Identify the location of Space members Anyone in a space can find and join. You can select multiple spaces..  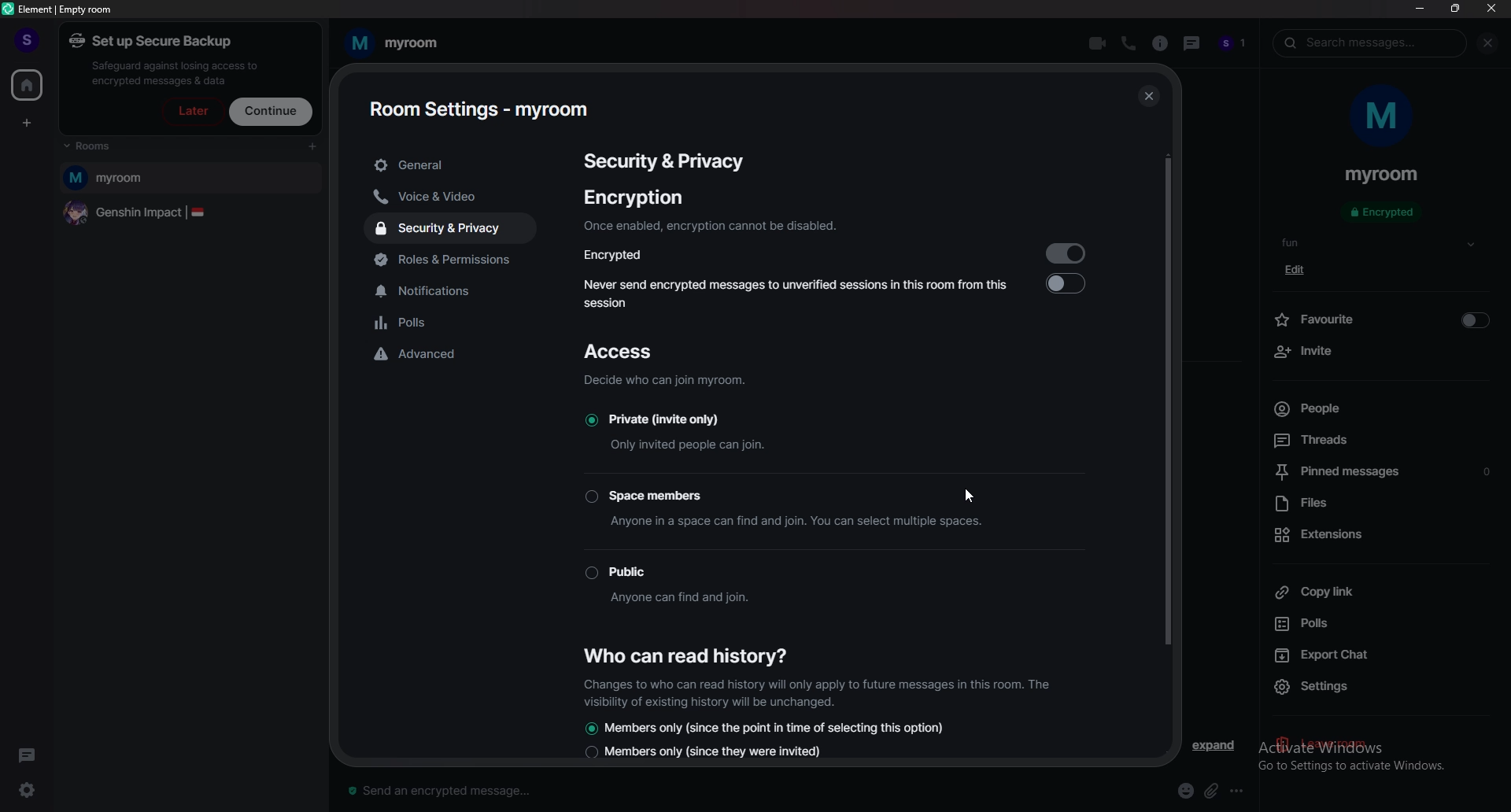
(760, 507).